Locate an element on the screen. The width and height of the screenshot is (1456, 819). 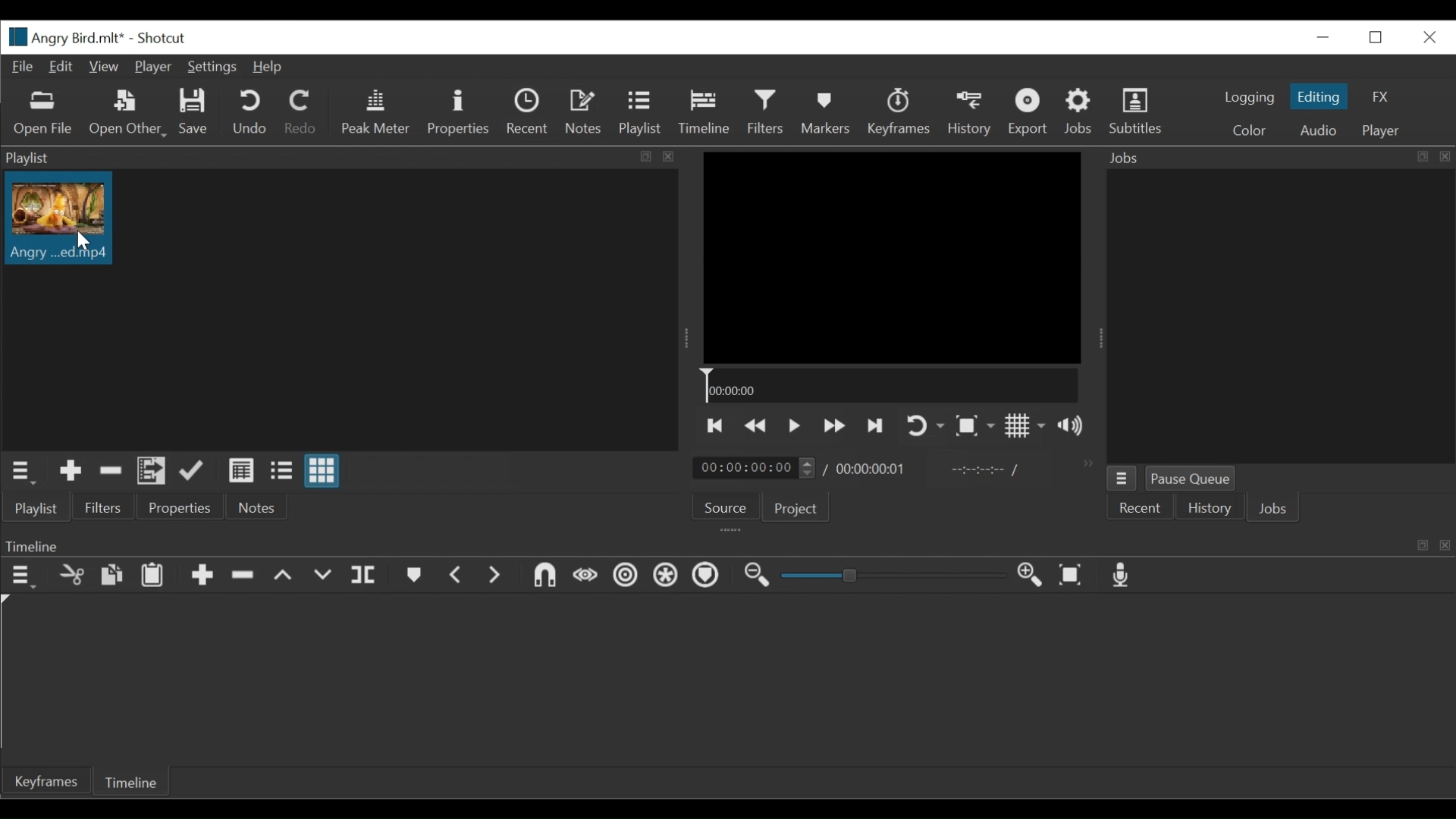
Undo is located at coordinates (249, 112).